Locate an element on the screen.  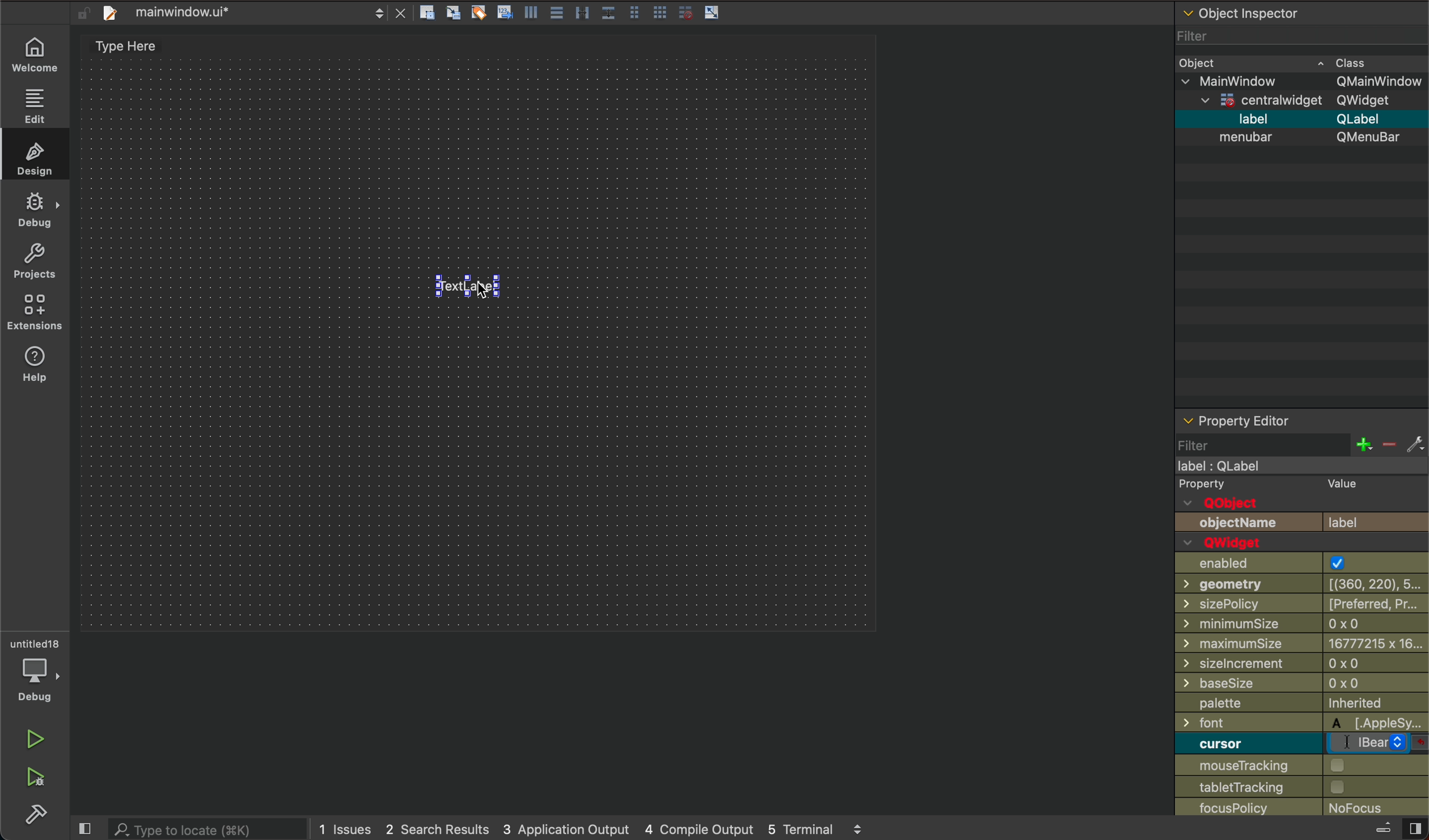
maximumSize is located at coordinates (1230, 642).